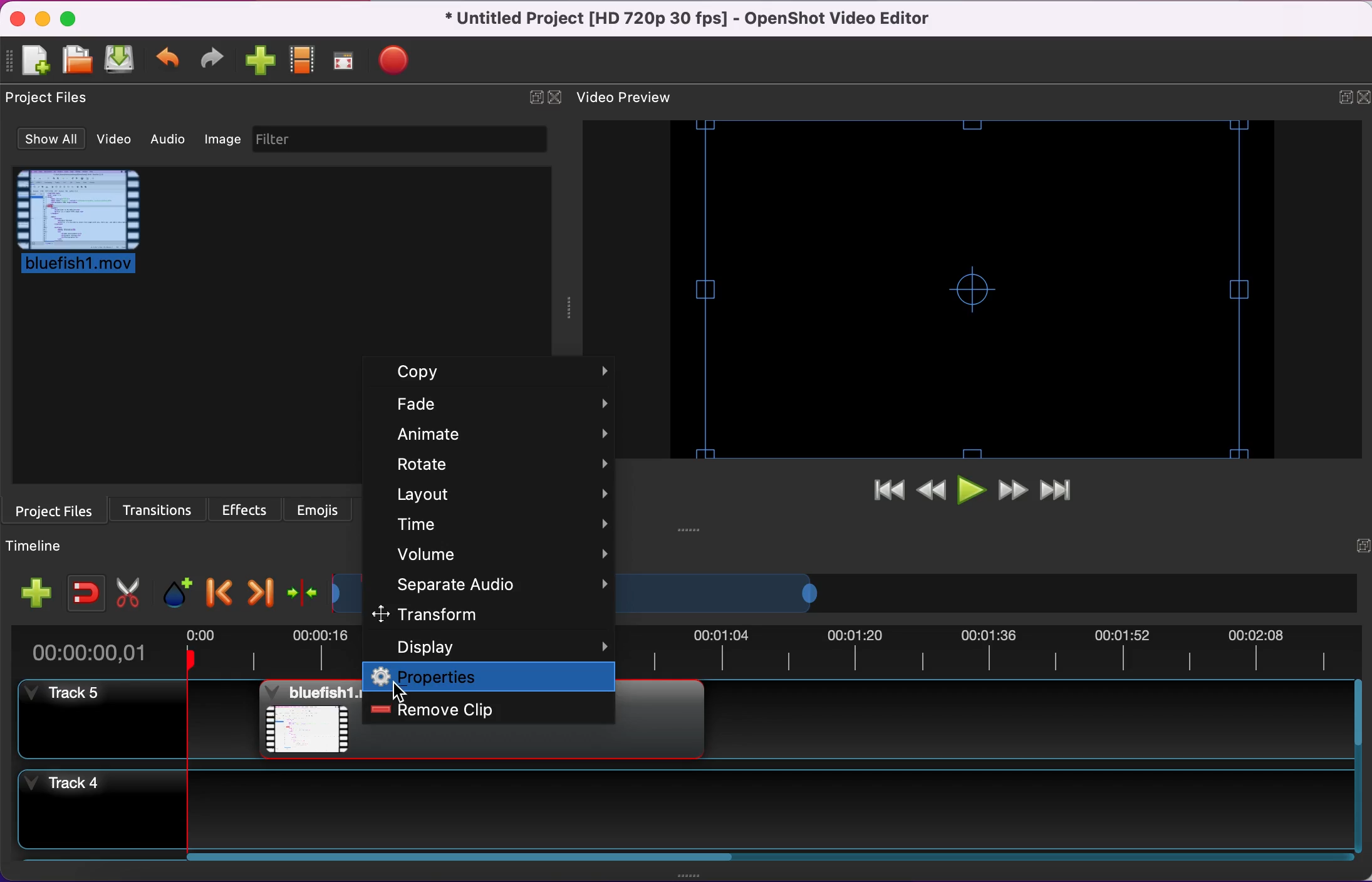 The height and width of the screenshot is (882, 1372). What do you see at coordinates (1358, 766) in the screenshot?
I see `Vertical slide bar` at bounding box center [1358, 766].